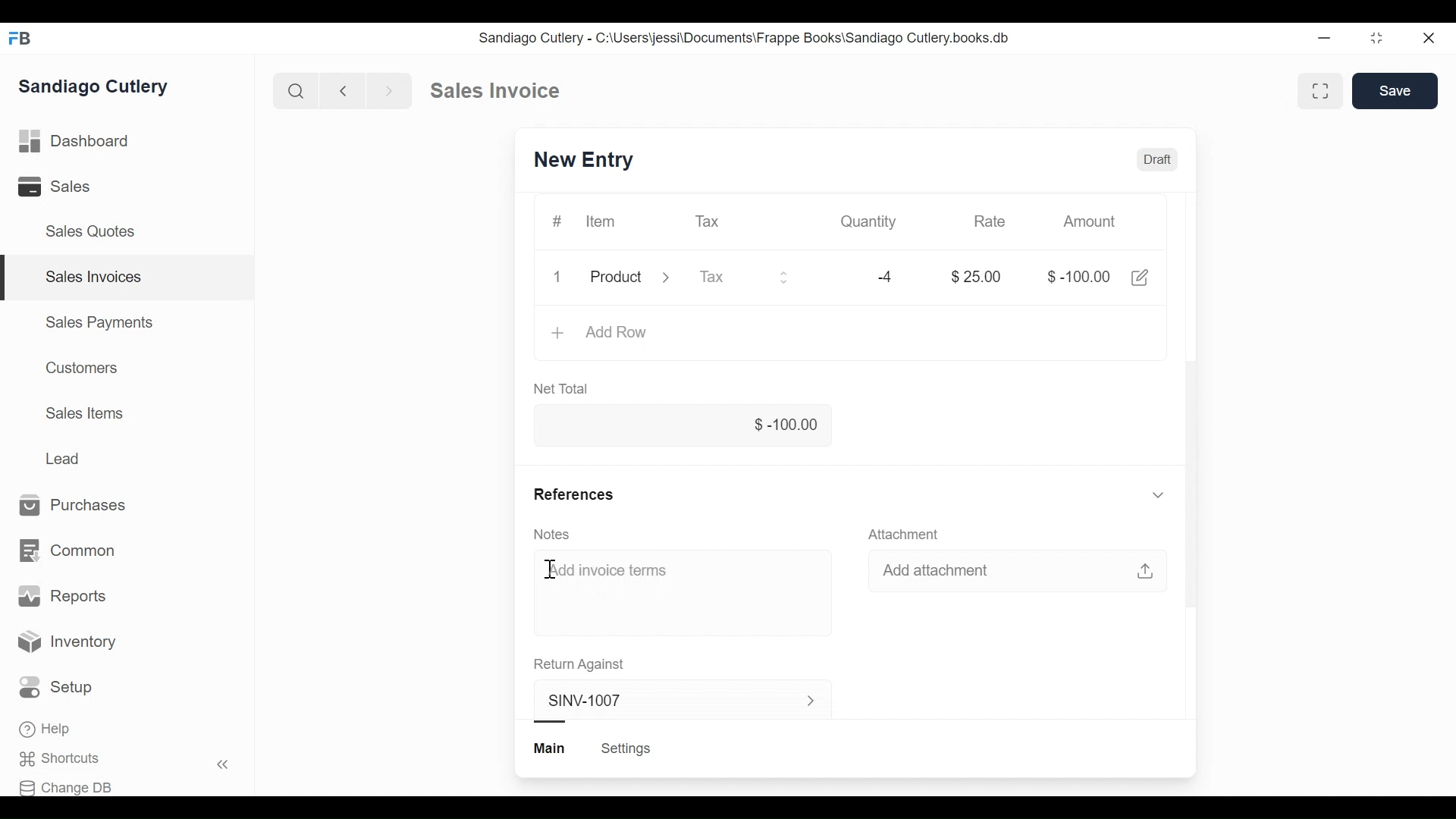  Describe the element at coordinates (906, 533) in the screenshot. I see `Attachment` at that location.